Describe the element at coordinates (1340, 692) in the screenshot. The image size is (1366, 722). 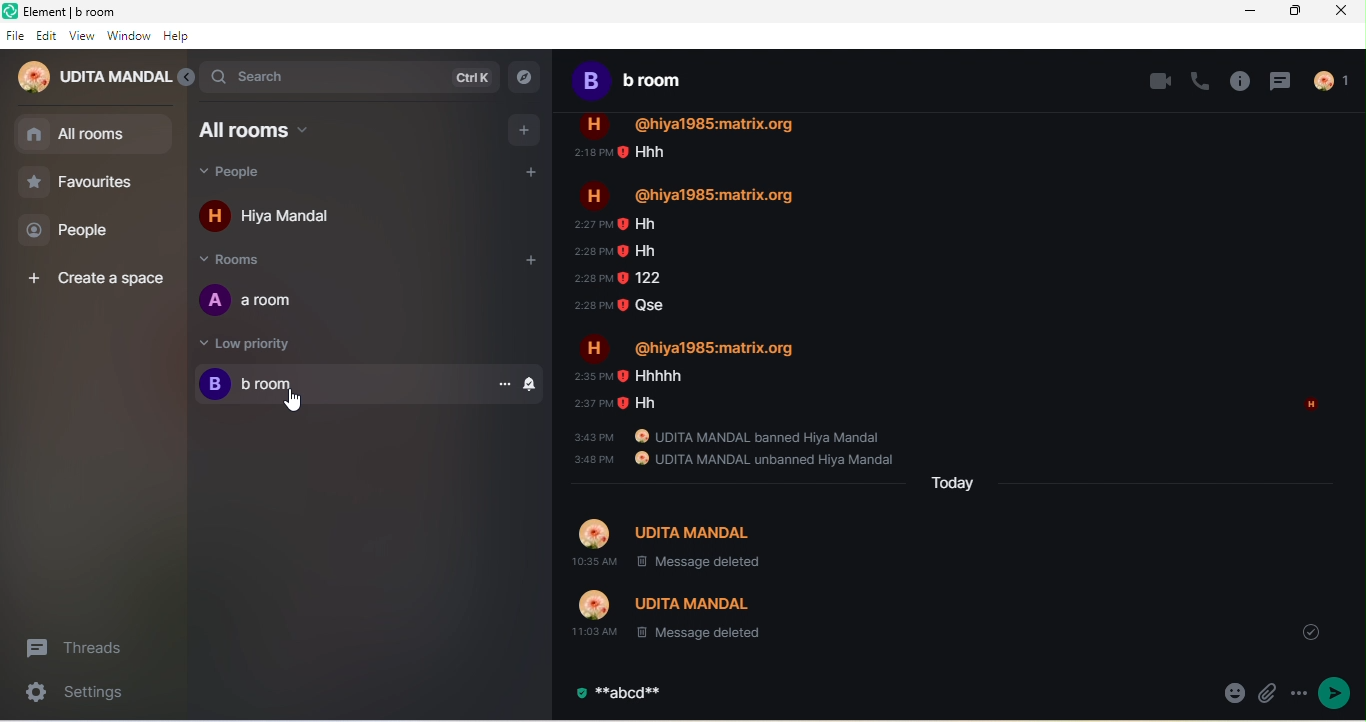
I see `send` at that location.